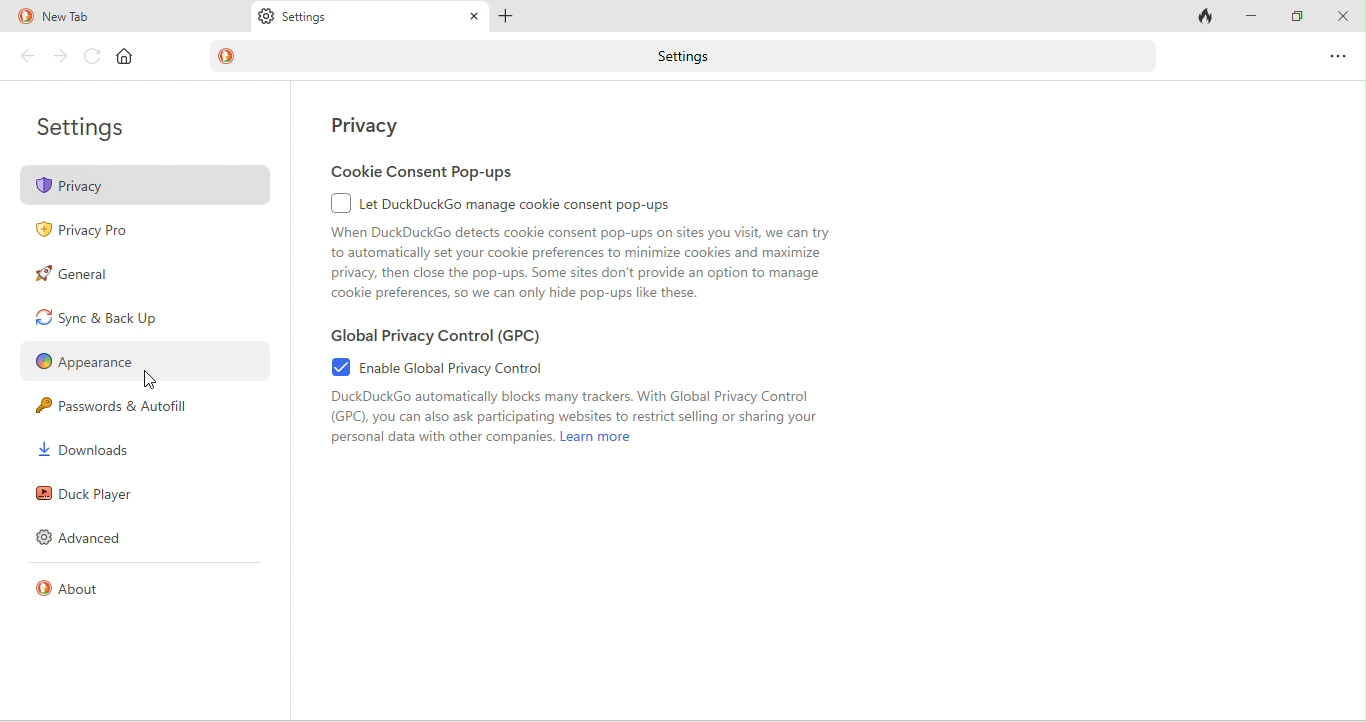 This screenshot has height=722, width=1366. Describe the element at coordinates (1206, 16) in the screenshot. I see `close tab and clear data` at that location.